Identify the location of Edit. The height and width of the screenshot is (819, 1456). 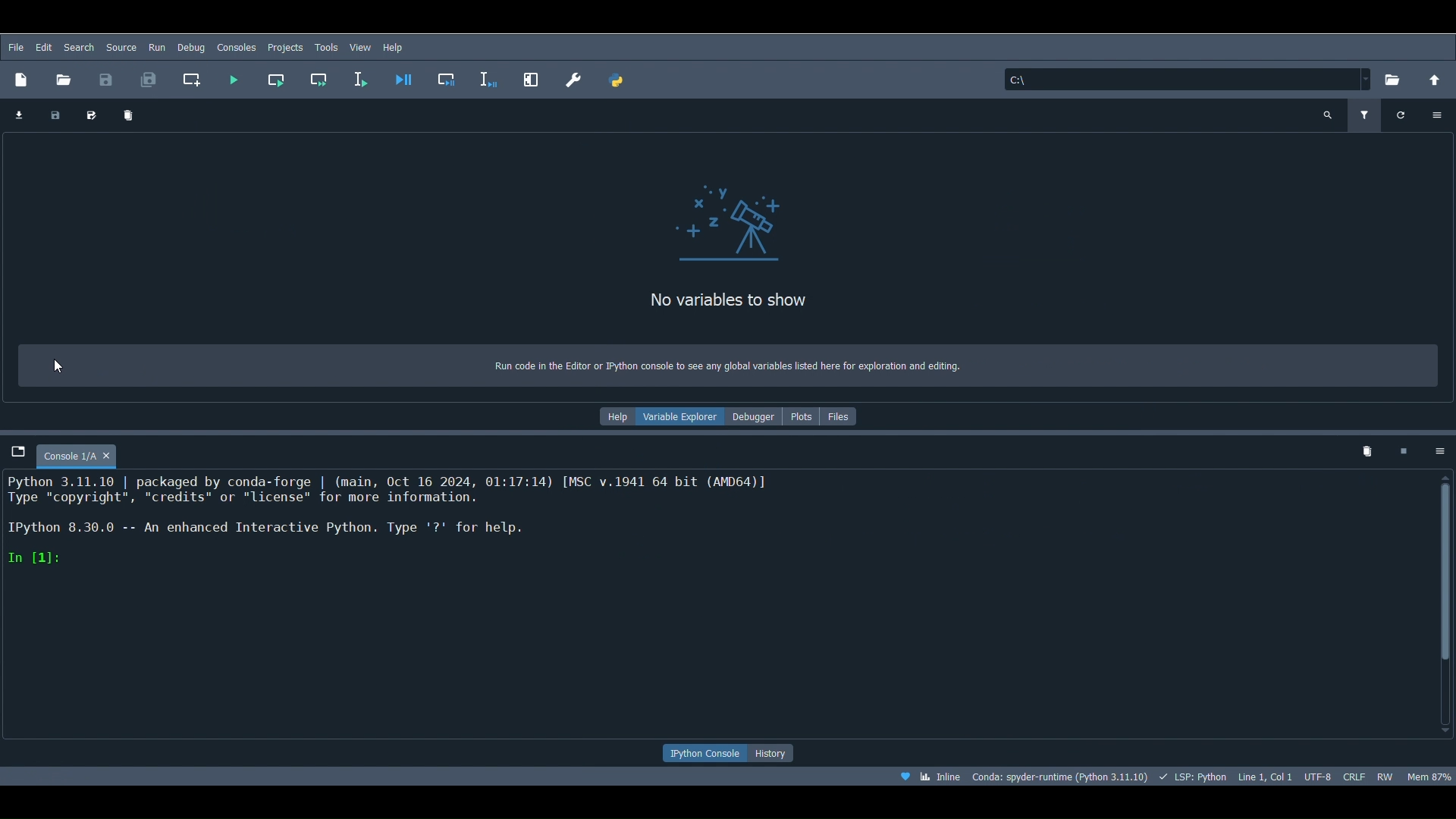
(44, 47).